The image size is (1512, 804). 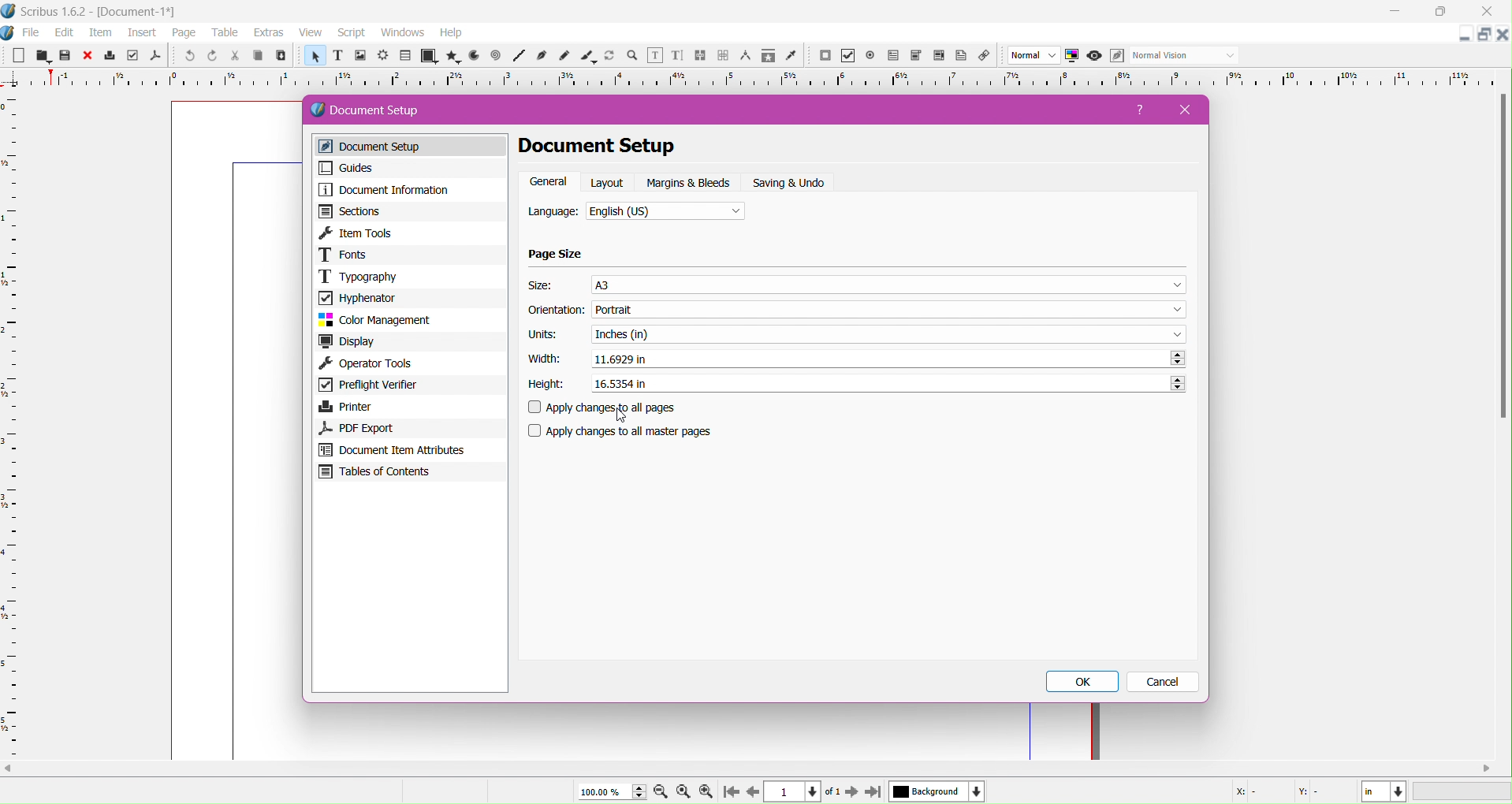 What do you see at coordinates (210, 56) in the screenshot?
I see `redo` at bounding box center [210, 56].